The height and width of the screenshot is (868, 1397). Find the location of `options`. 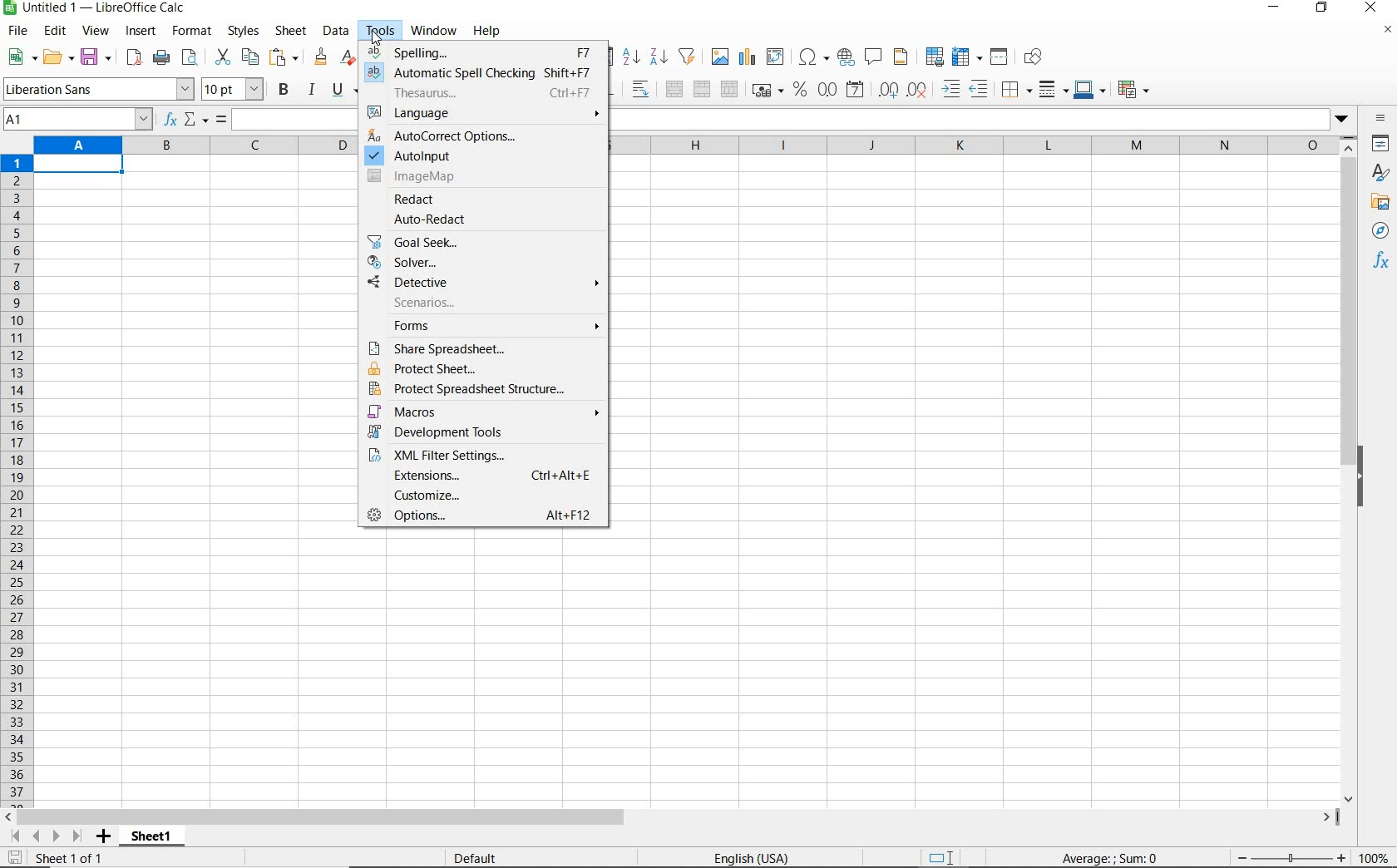

options is located at coordinates (484, 516).